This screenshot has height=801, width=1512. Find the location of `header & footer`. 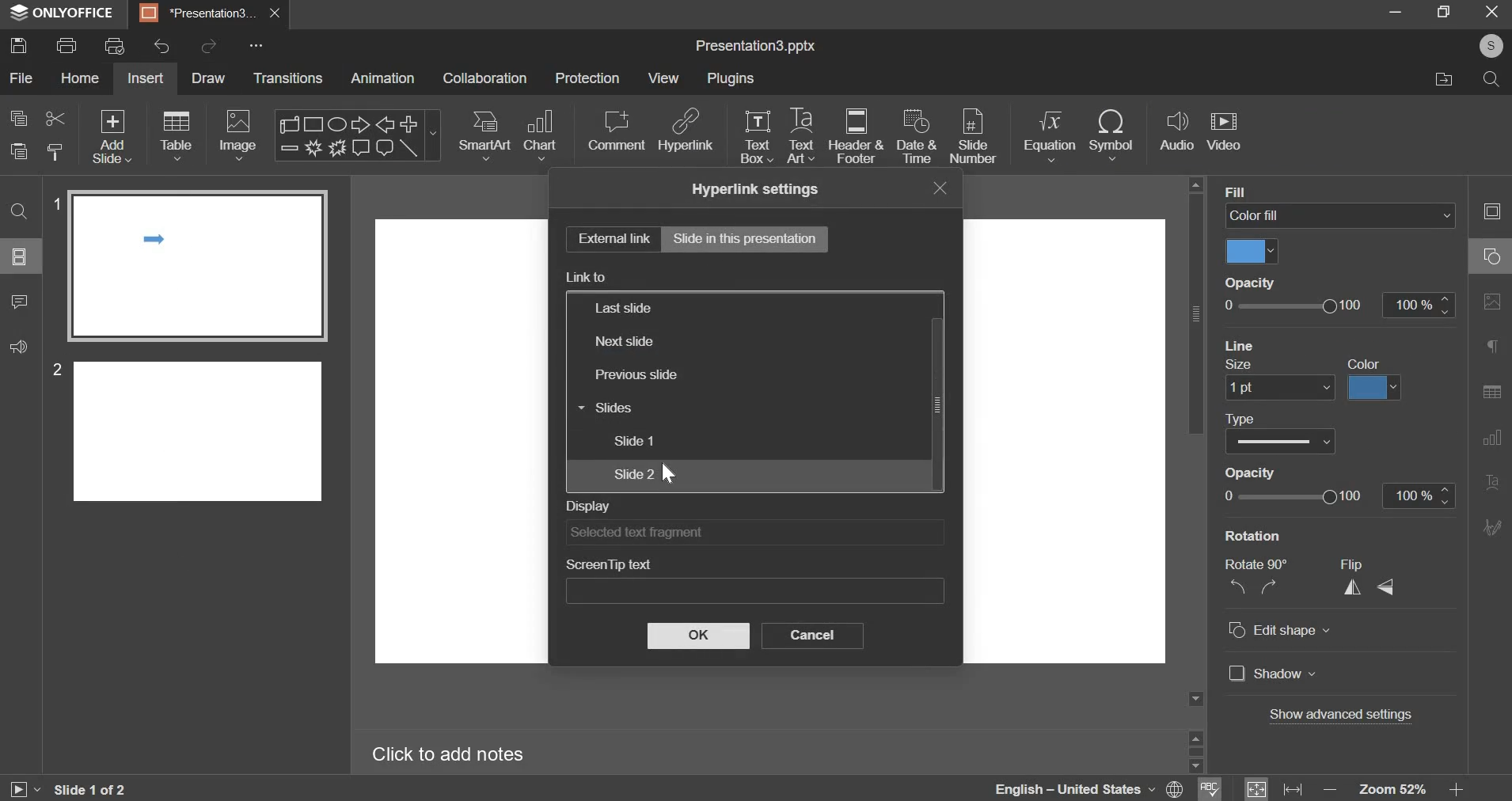

header & footer is located at coordinates (857, 135).